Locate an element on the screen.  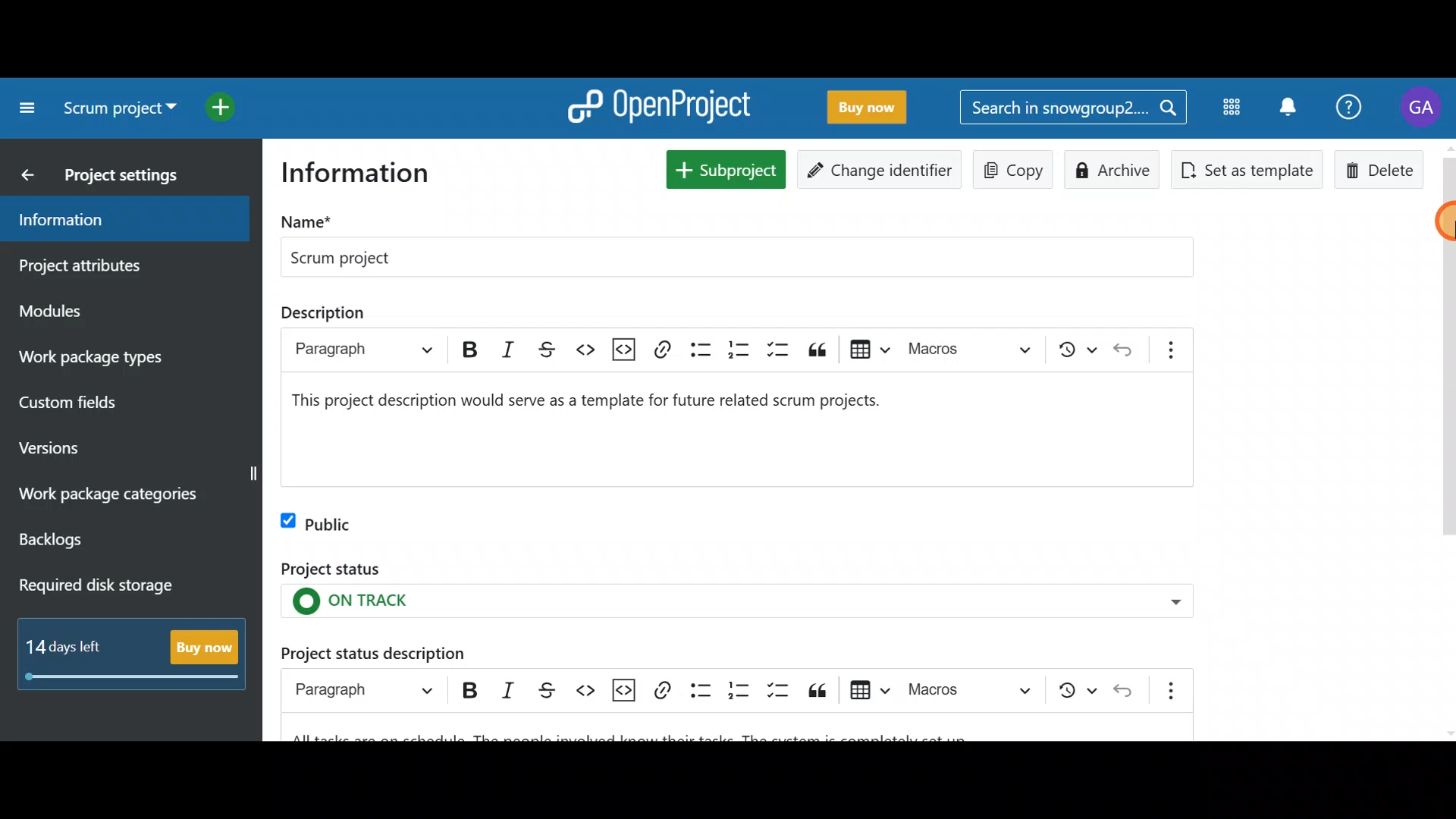
italic is located at coordinates (507, 349).